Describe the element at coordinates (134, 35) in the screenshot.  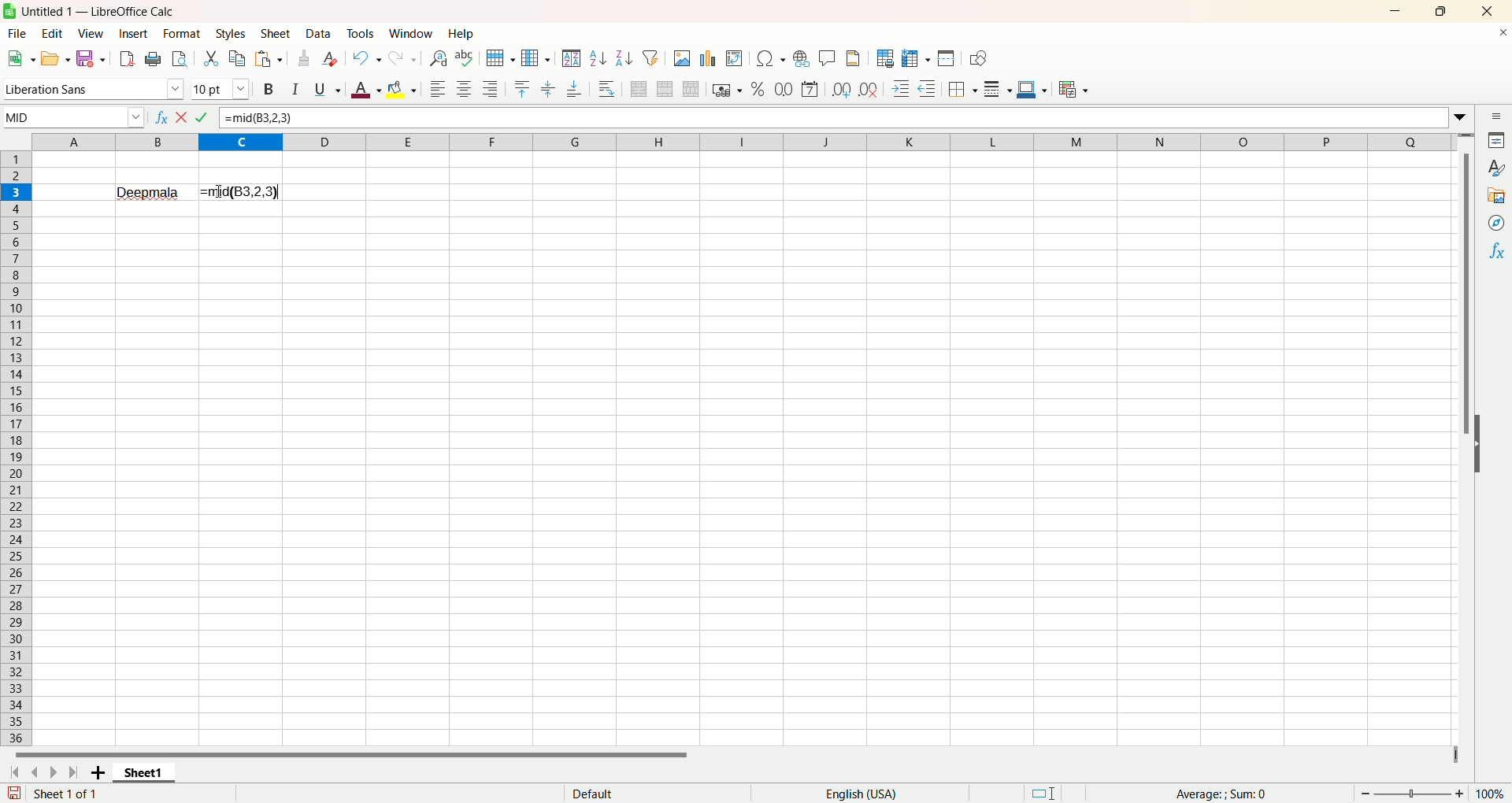
I see `Insert` at that location.